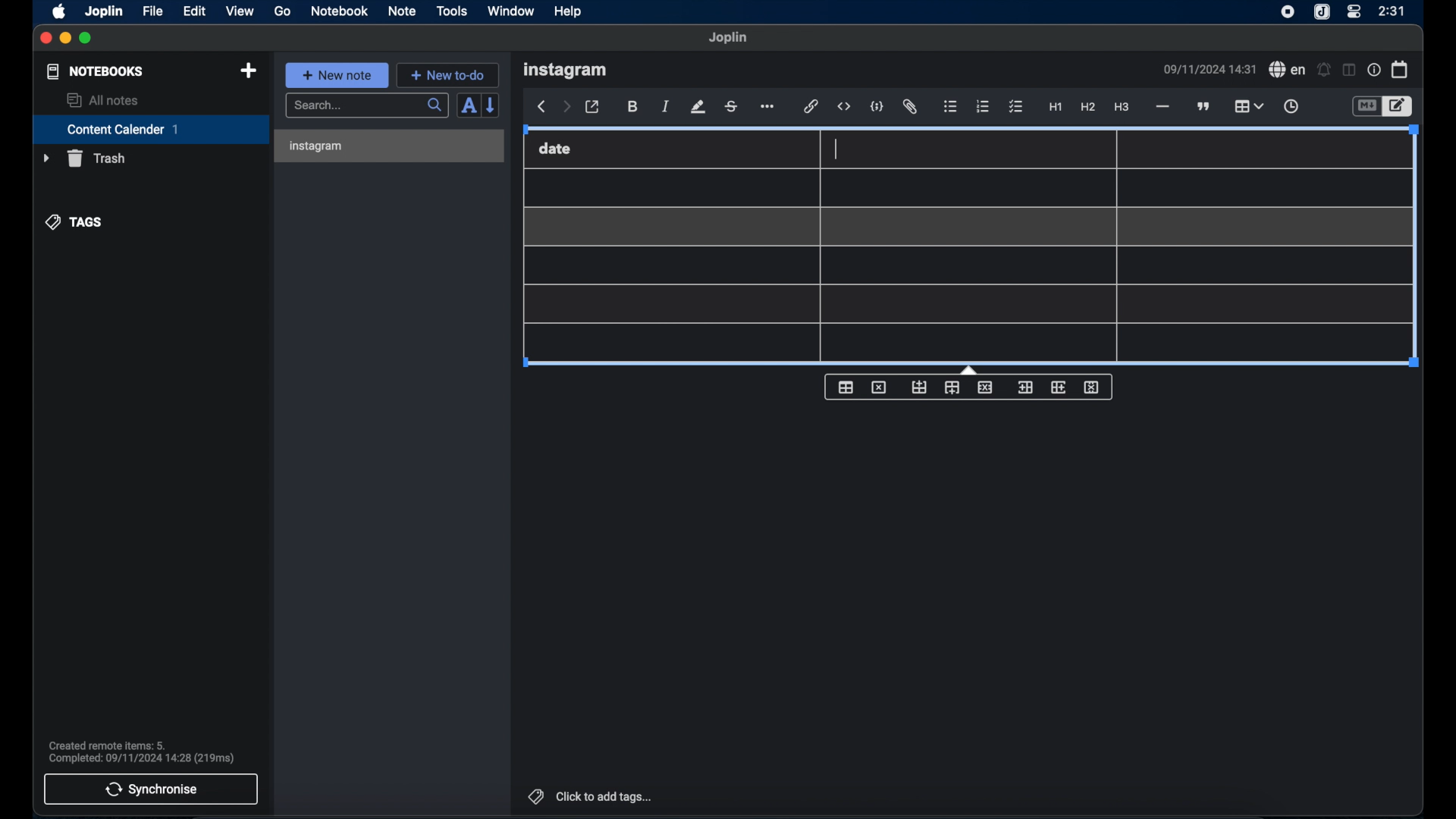 This screenshot has width=1456, height=819. I want to click on toggle sort order field, so click(468, 106).